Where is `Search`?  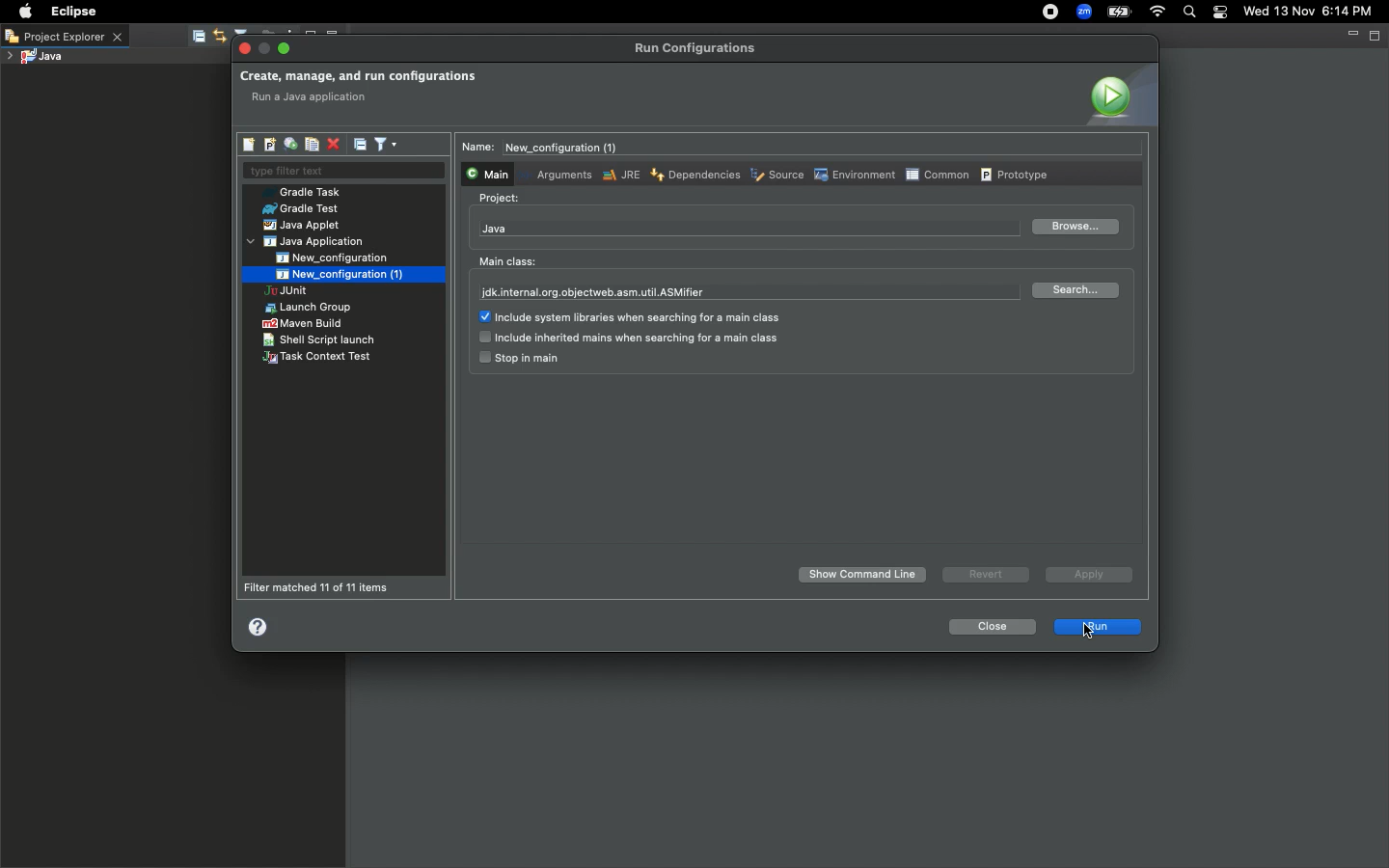
Search is located at coordinates (1188, 14).